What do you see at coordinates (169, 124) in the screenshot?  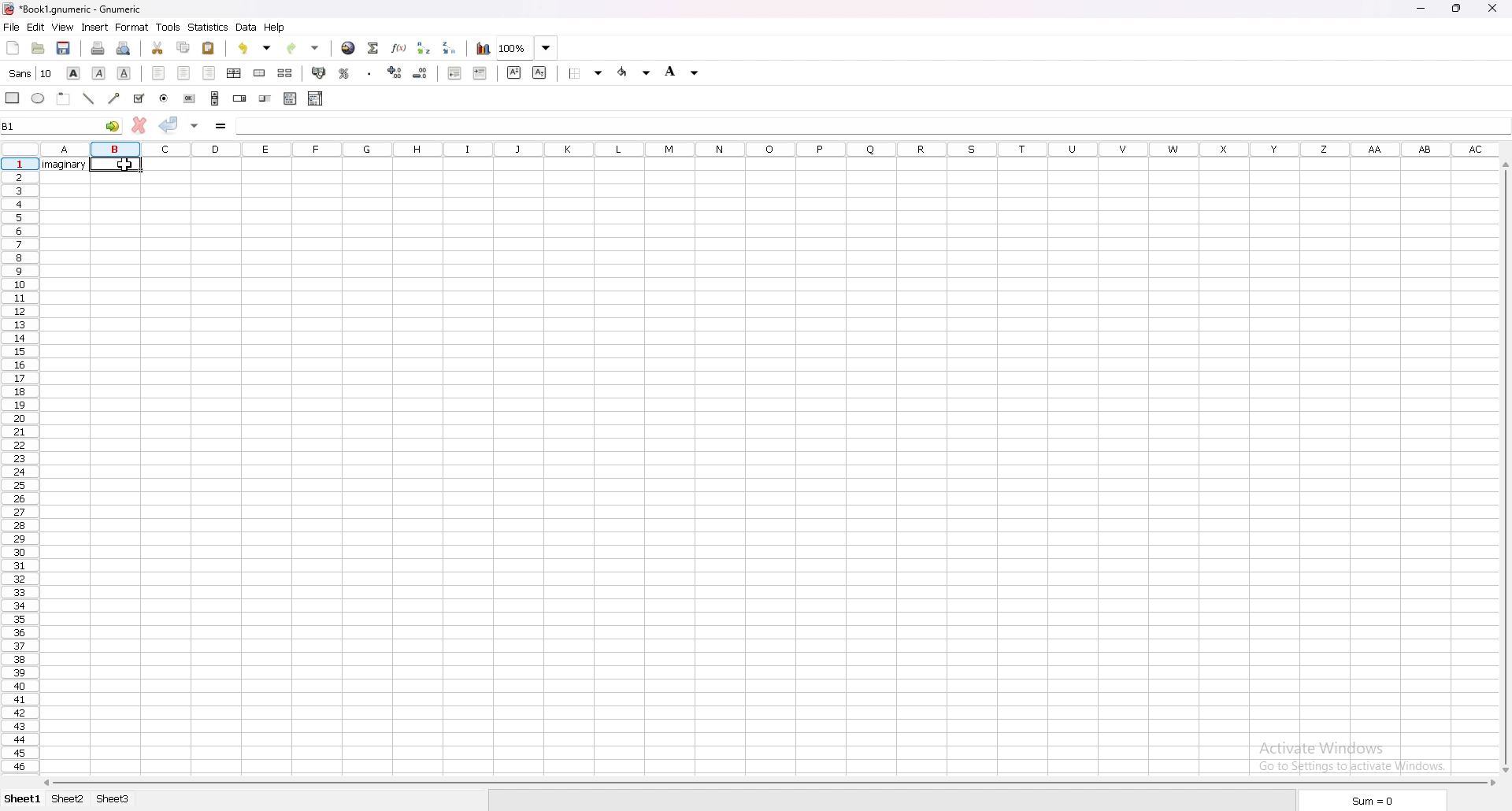 I see `accept changes` at bounding box center [169, 124].